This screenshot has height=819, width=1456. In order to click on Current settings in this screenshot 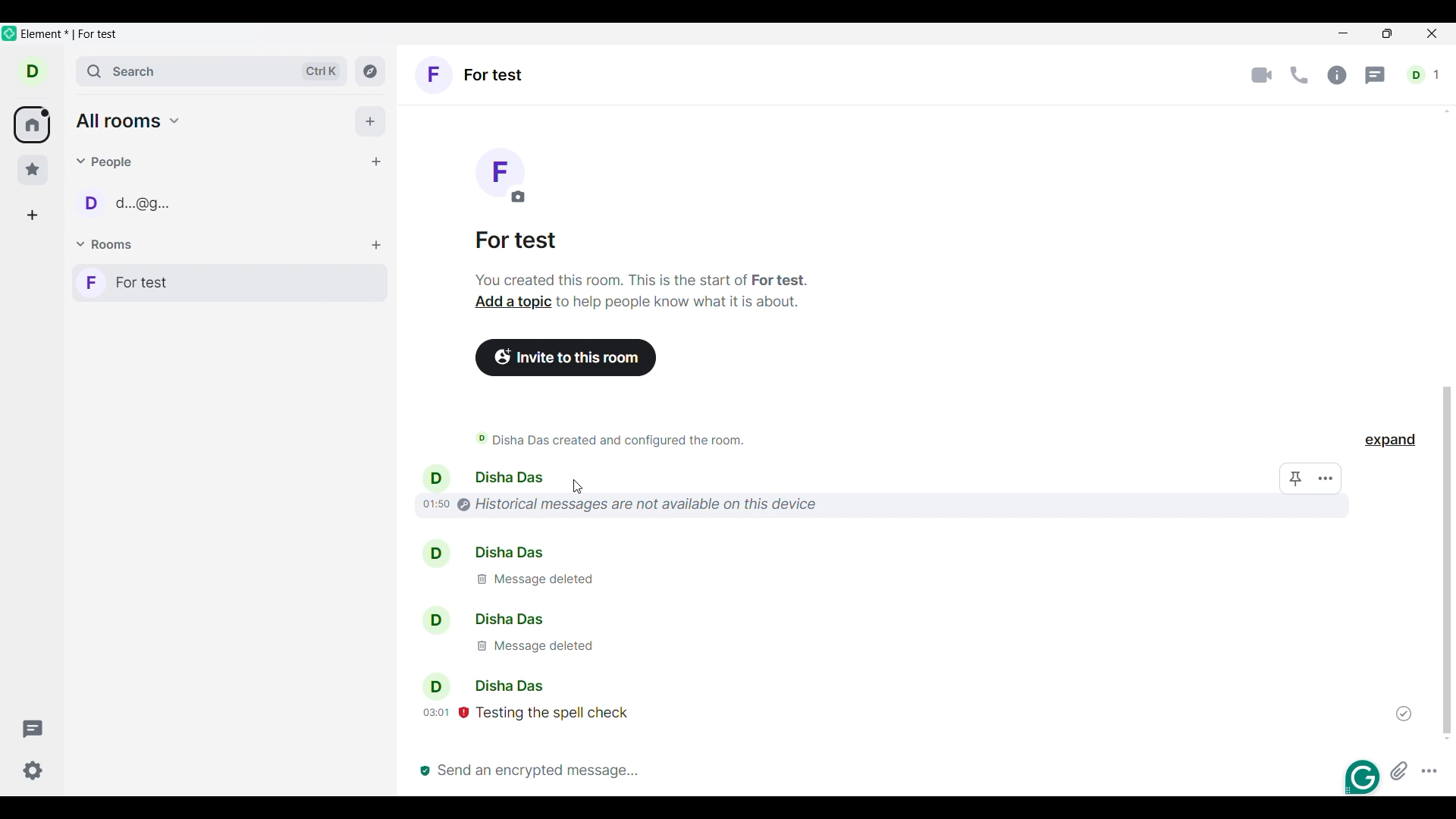, I will do `click(33, 770)`.